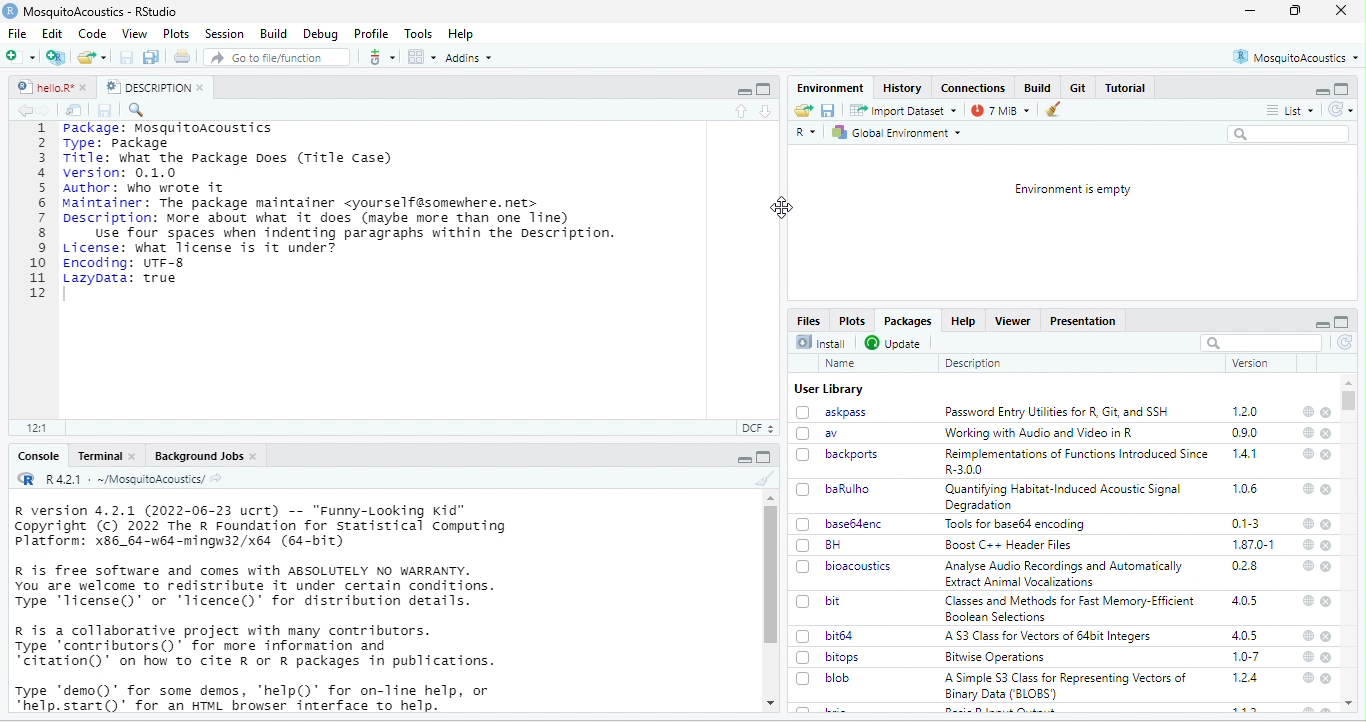 The image size is (1366, 722). What do you see at coordinates (1307, 657) in the screenshot?
I see `help` at bounding box center [1307, 657].